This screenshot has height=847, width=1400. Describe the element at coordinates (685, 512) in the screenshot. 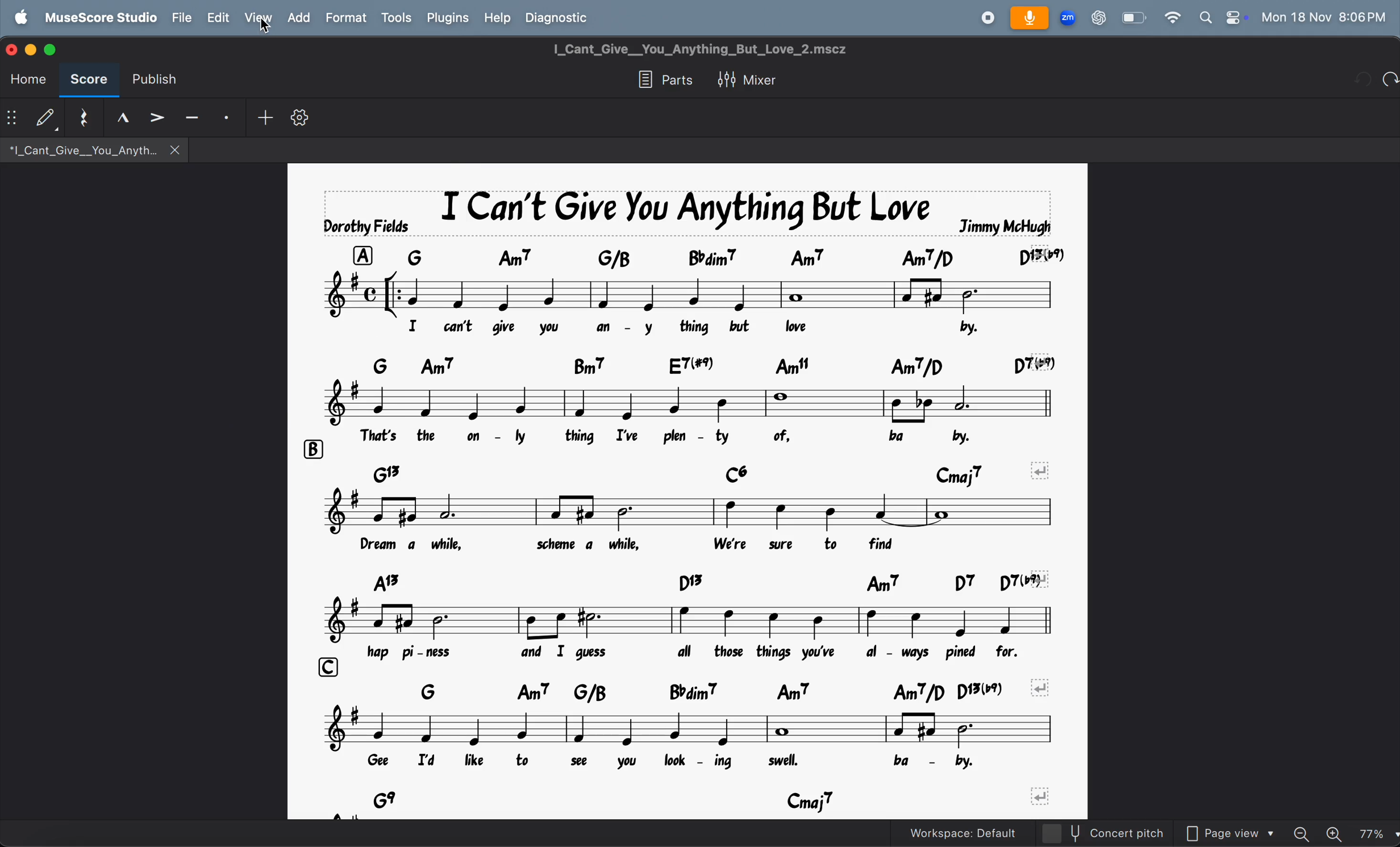

I see `notes` at that location.